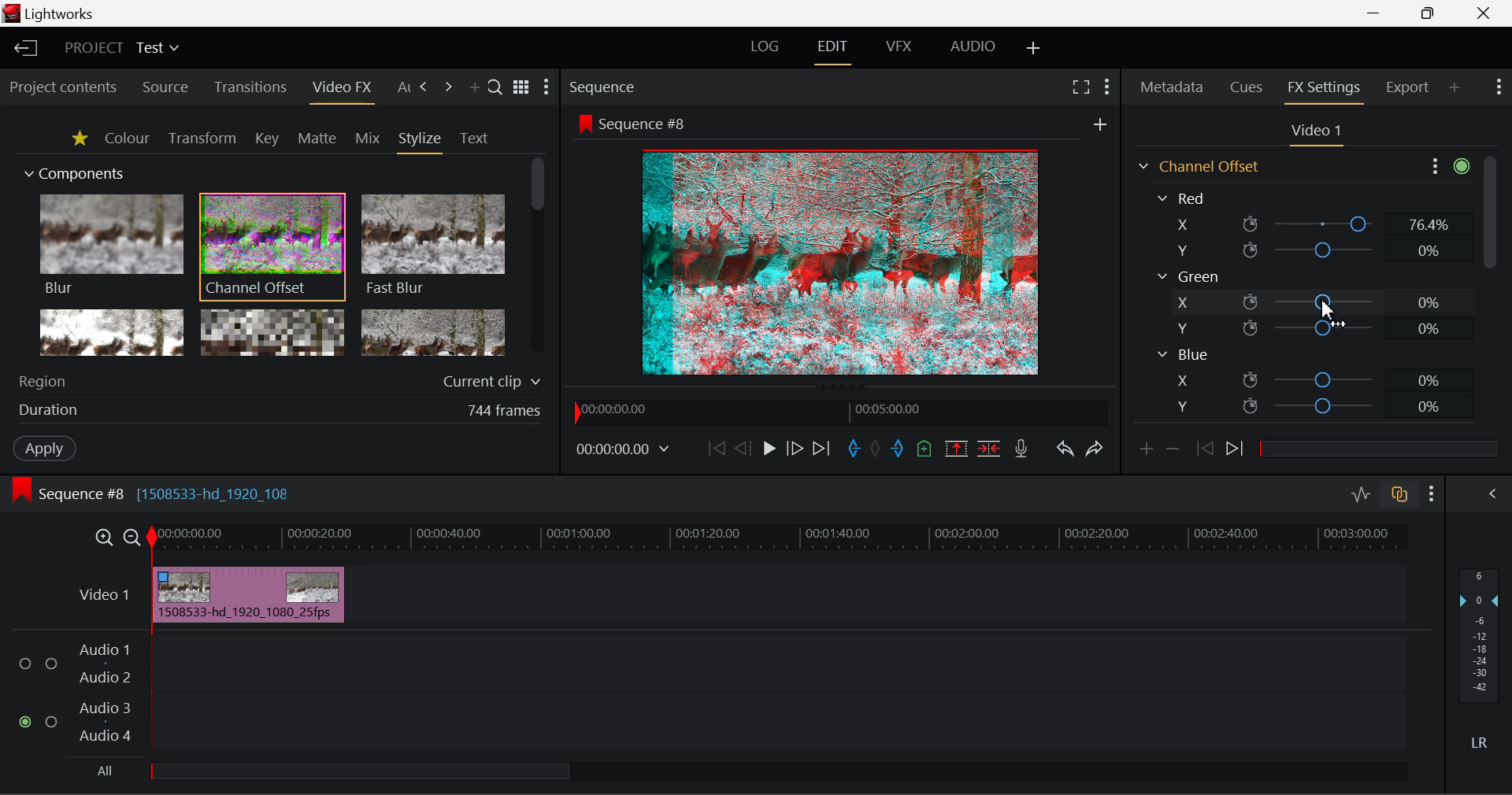 The image size is (1512, 795). Describe the element at coordinates (109, 331) in the screenshot. I see `Glow` at that location.